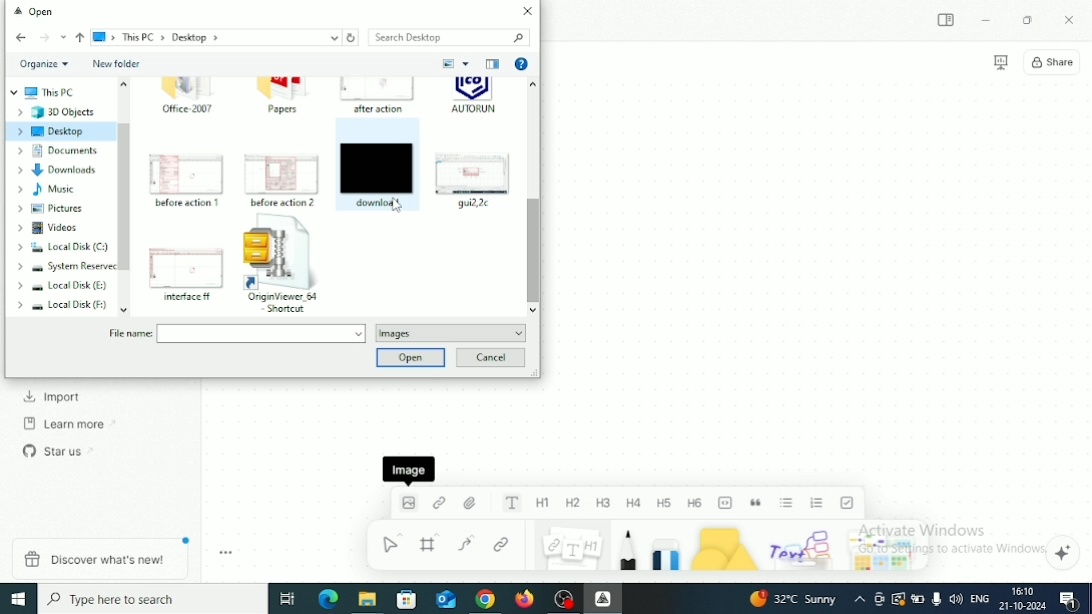 The image size is (1092, 614). I want to click on Refresh, so click(353, 37).